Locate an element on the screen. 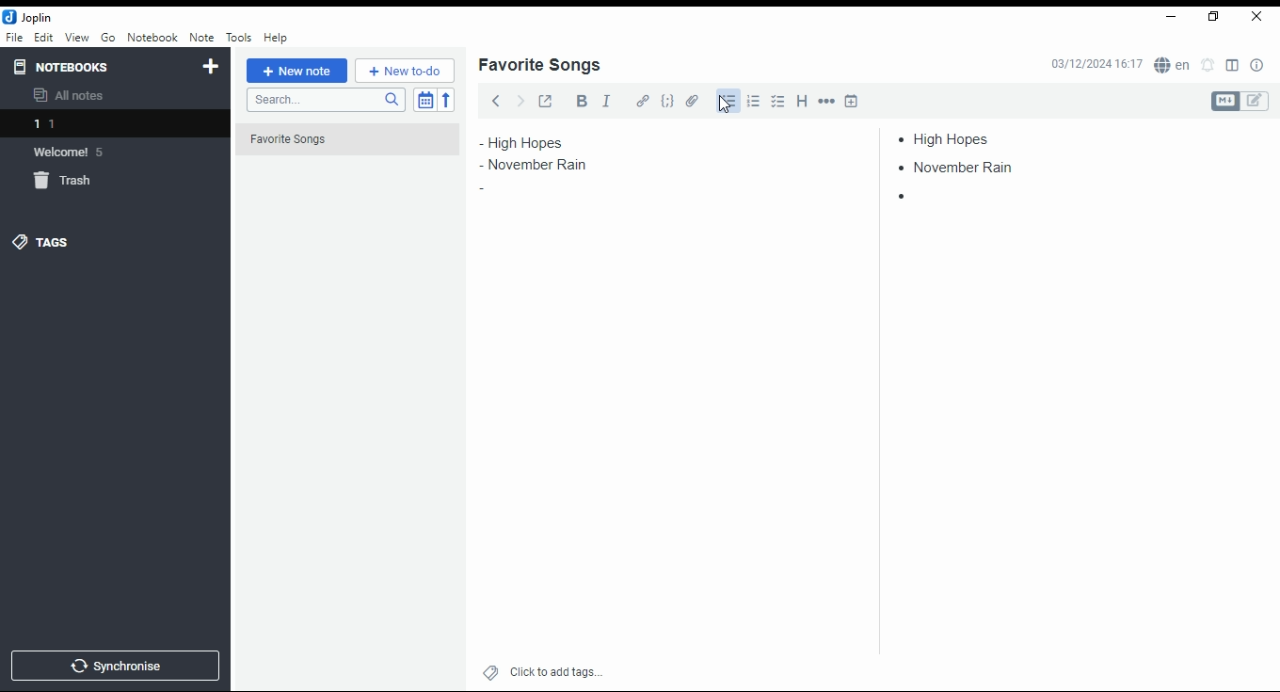 This screenshot has width=1280, height=692. help is located at coordinates (275, 38).